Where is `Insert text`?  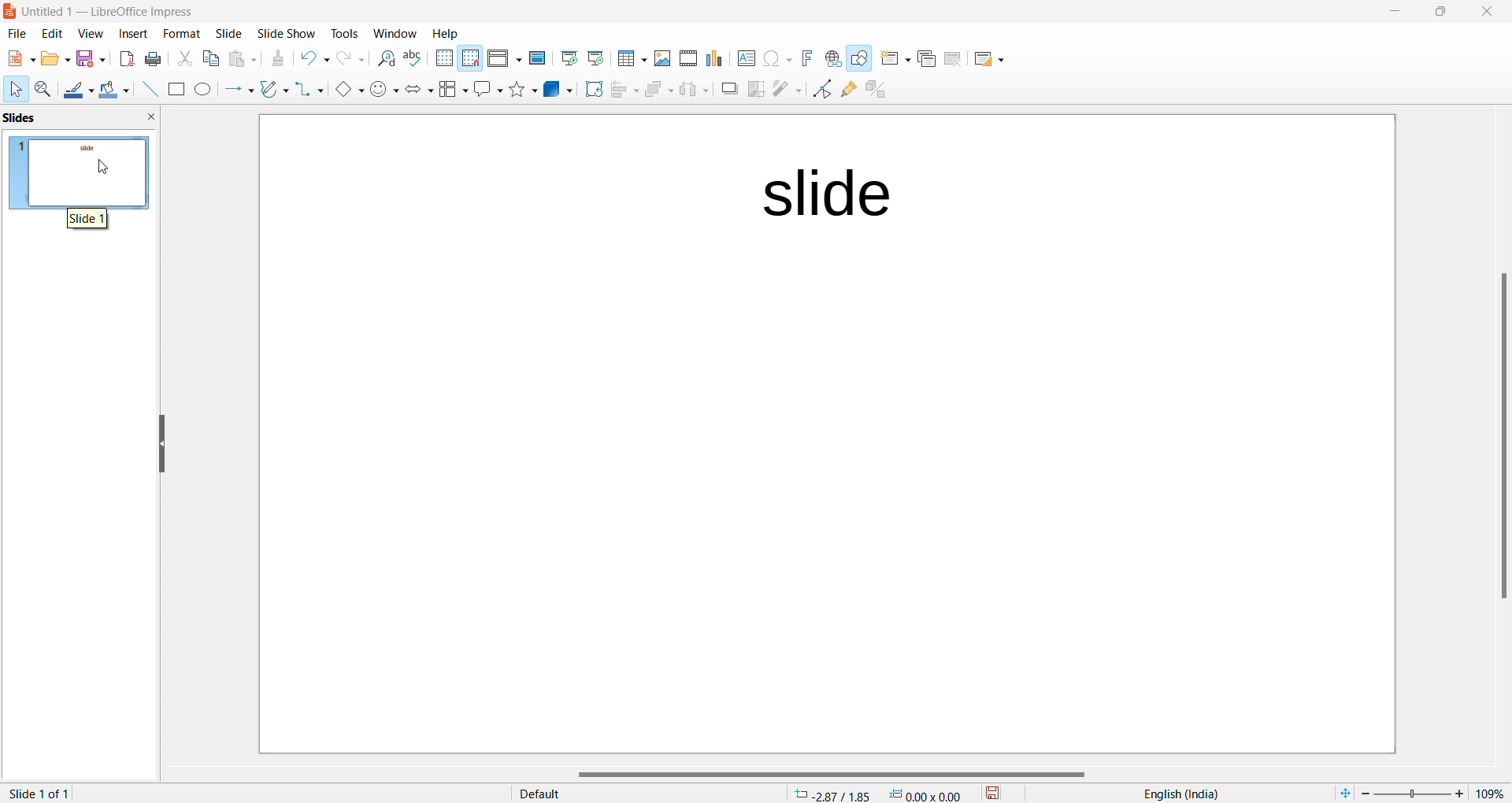 Insert text is located at coordinates (740, 57).